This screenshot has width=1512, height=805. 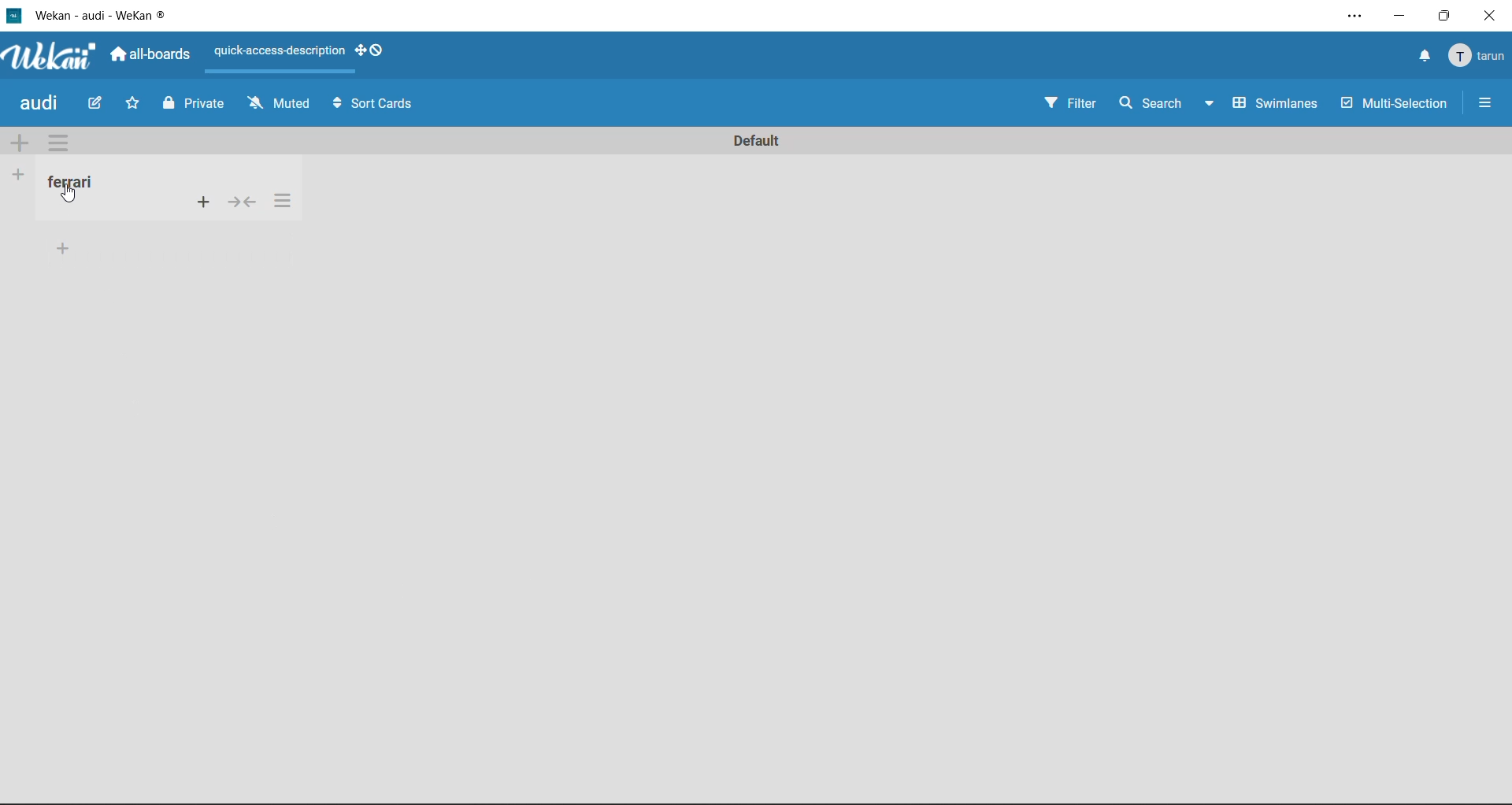 What do you see at coordinates (1350, 13) in the screenshot?
I see `settings` at bounding box center [1350, 13].